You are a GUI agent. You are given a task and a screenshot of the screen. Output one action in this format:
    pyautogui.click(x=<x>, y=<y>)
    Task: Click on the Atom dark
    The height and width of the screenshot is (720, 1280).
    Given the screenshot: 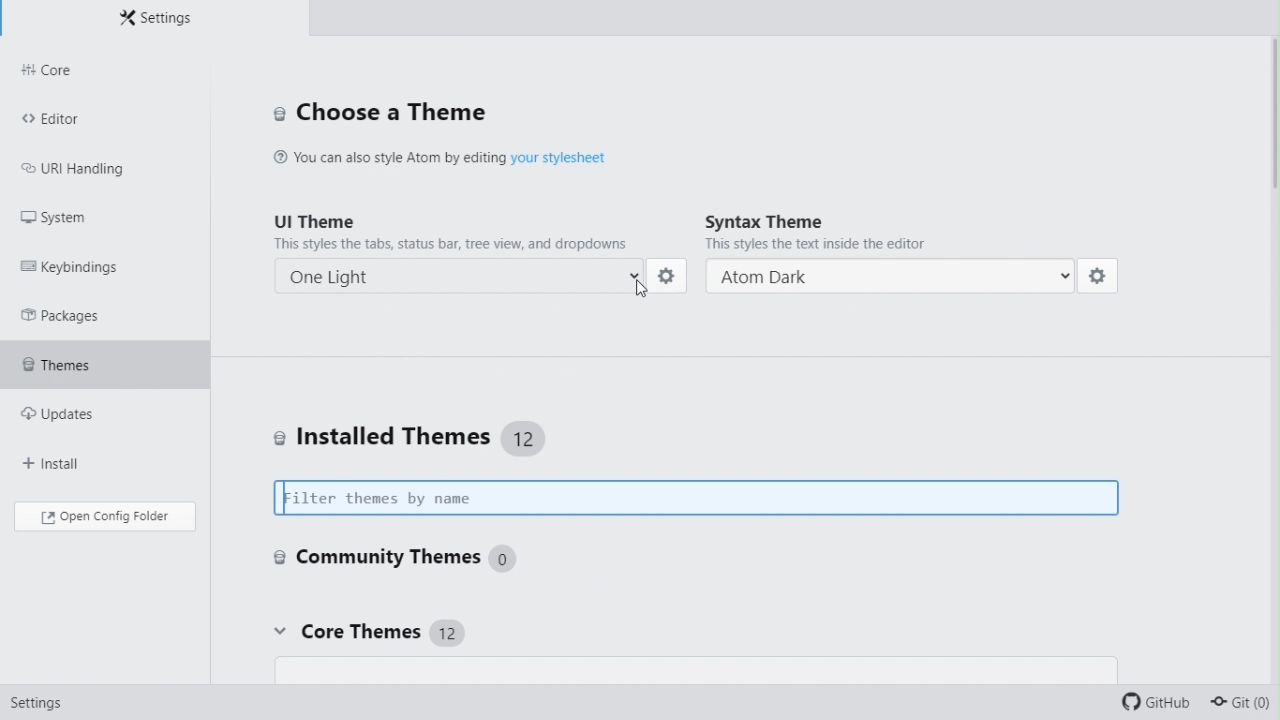 What is the action you would take?
    pyautogui.click(x=889, y=274)
    